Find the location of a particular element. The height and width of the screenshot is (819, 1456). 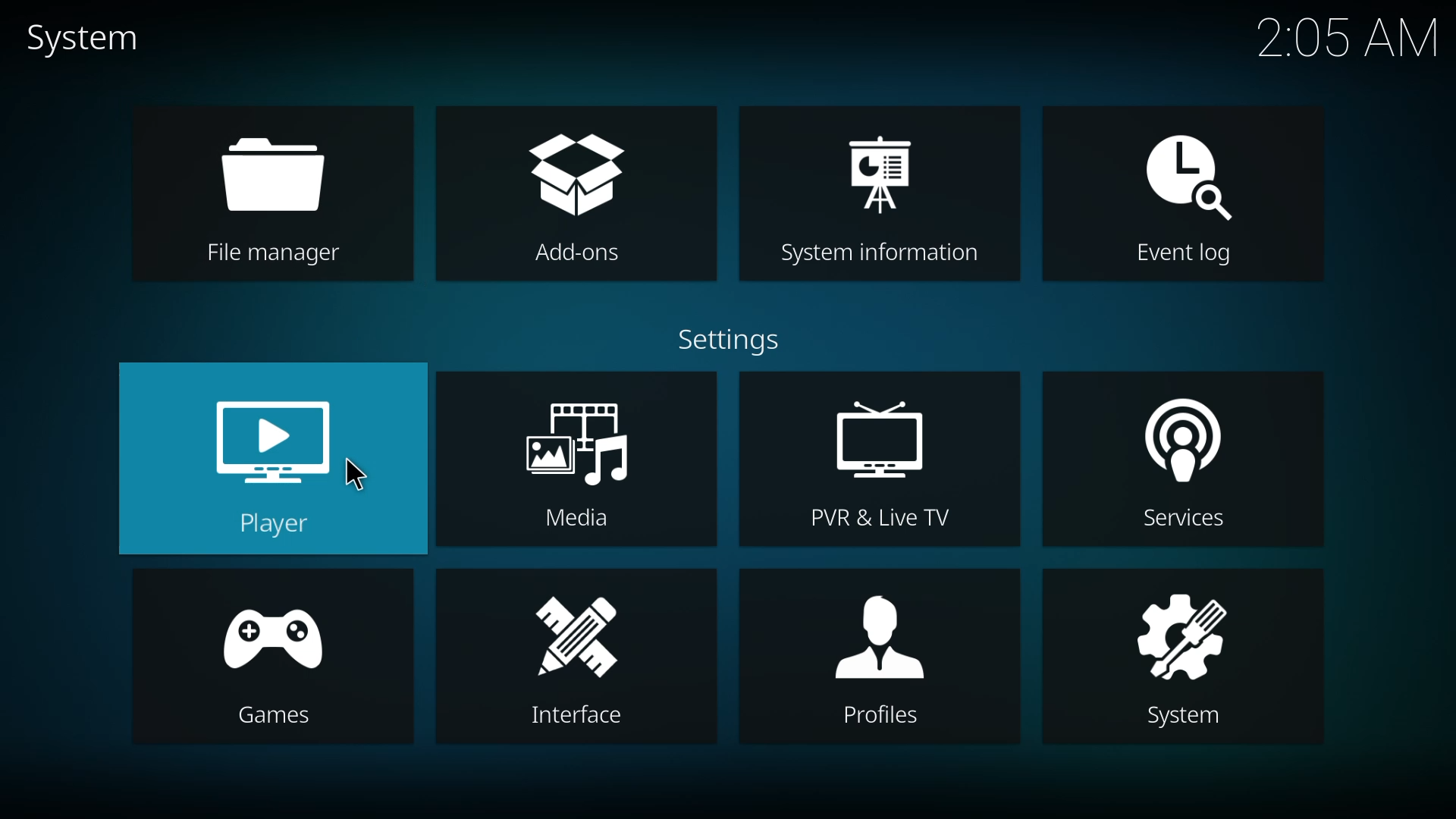

games is located at coordinates (278, 658).